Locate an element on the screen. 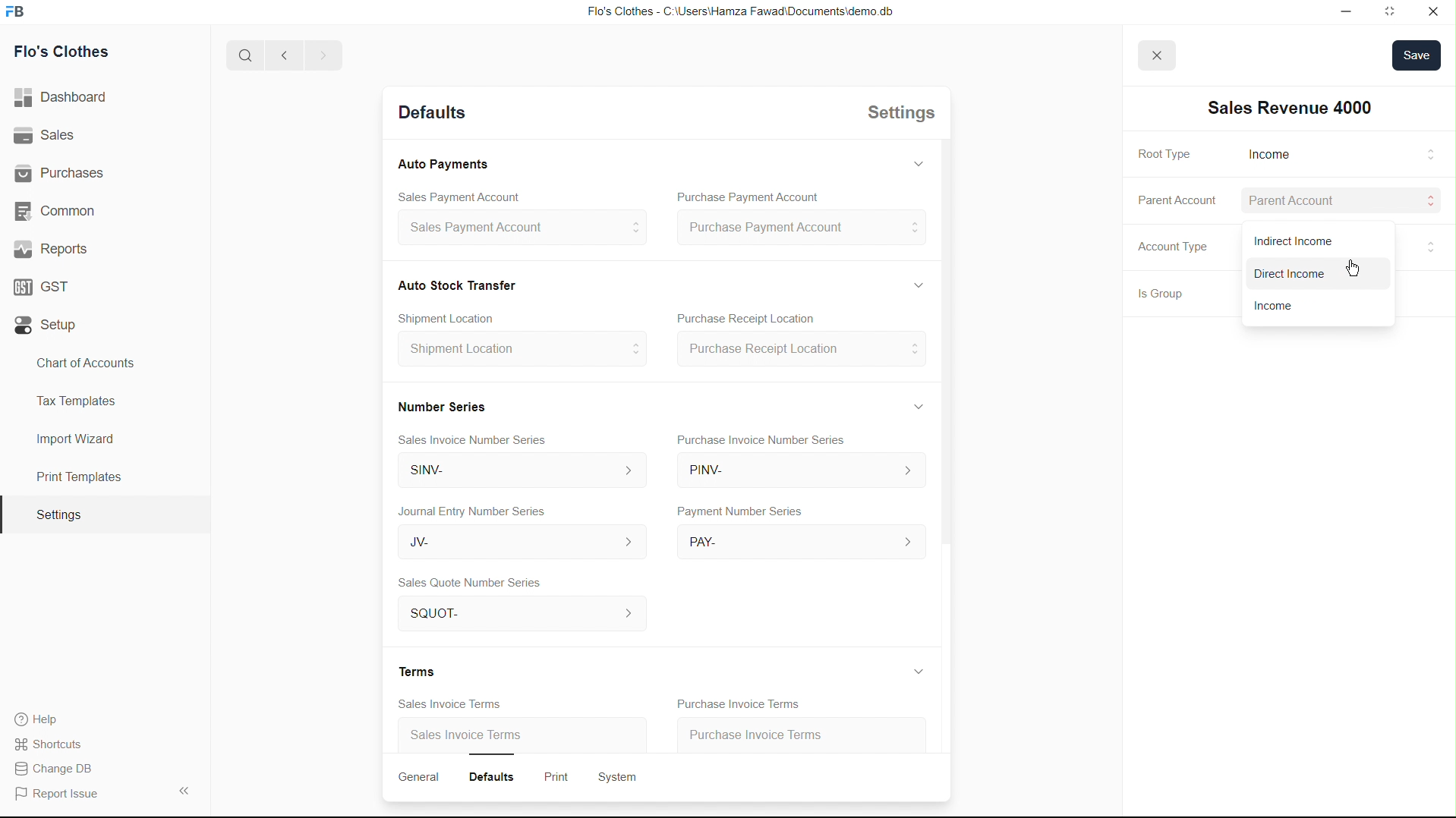  close is located at coordinates (1155, 55).